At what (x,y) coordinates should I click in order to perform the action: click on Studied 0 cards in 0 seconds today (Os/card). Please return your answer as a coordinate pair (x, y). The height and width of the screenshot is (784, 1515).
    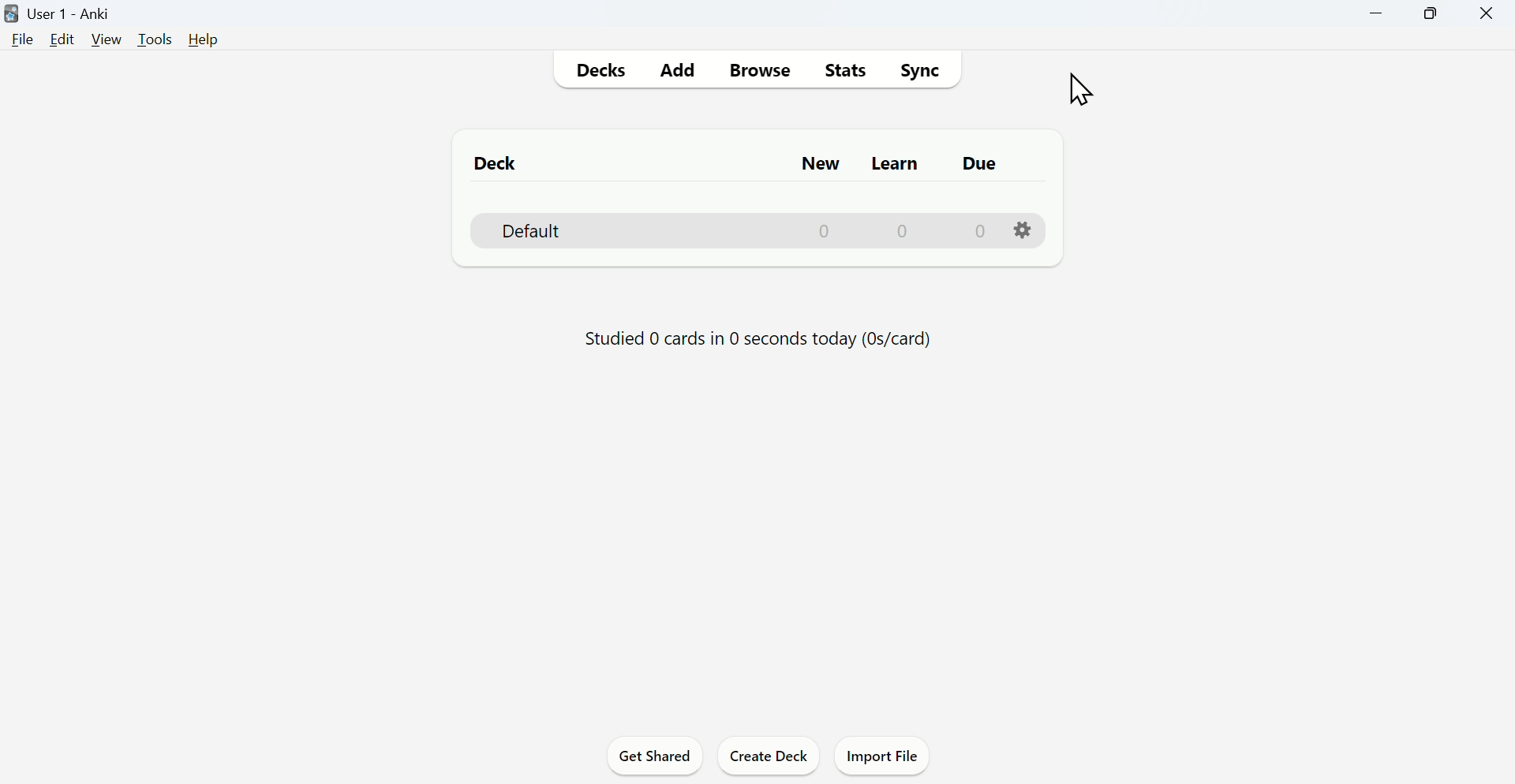
    Looking at the image, I should click on (757, 339).